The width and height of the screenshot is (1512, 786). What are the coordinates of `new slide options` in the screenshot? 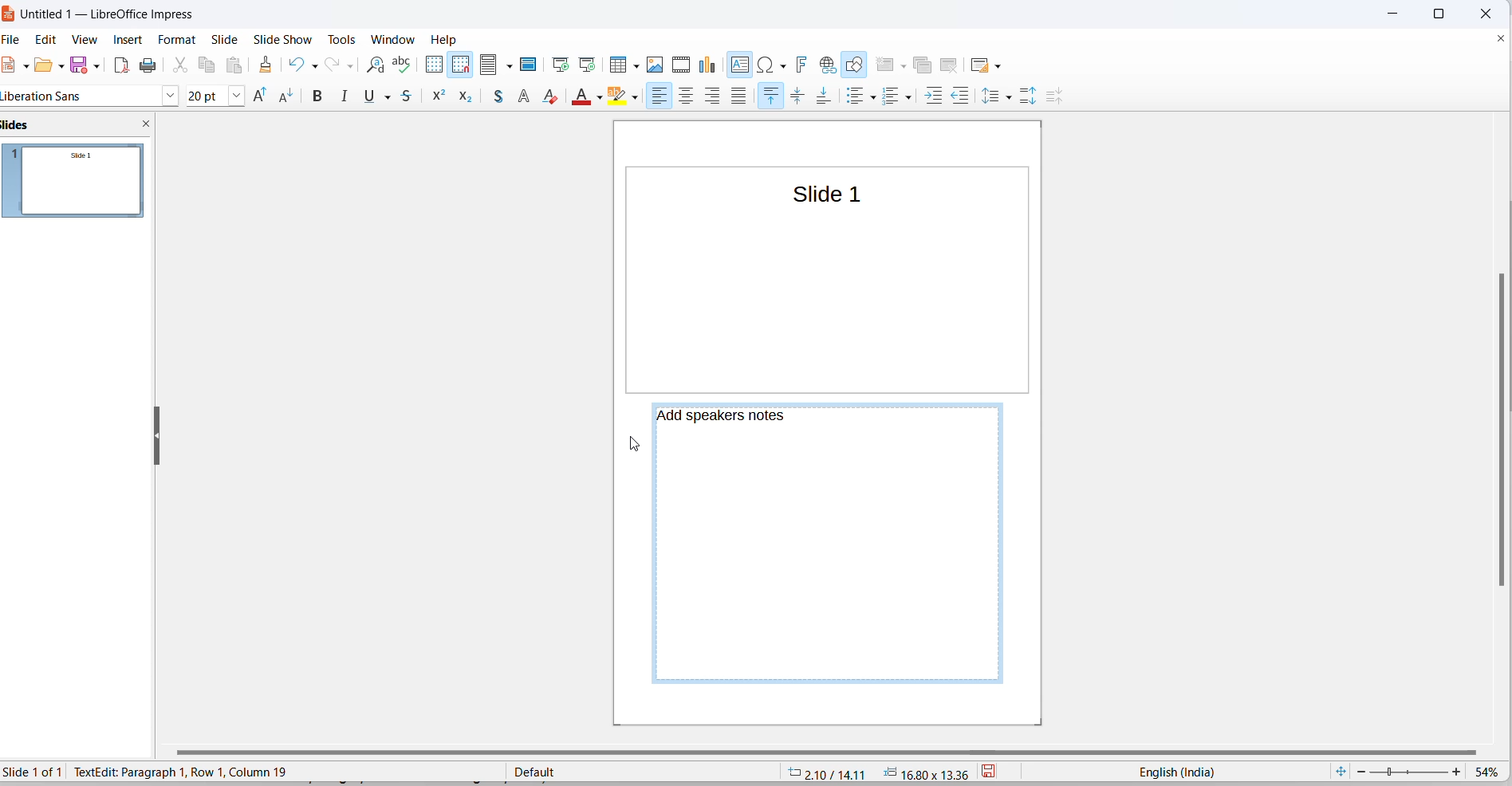 It's located at (902, 65).